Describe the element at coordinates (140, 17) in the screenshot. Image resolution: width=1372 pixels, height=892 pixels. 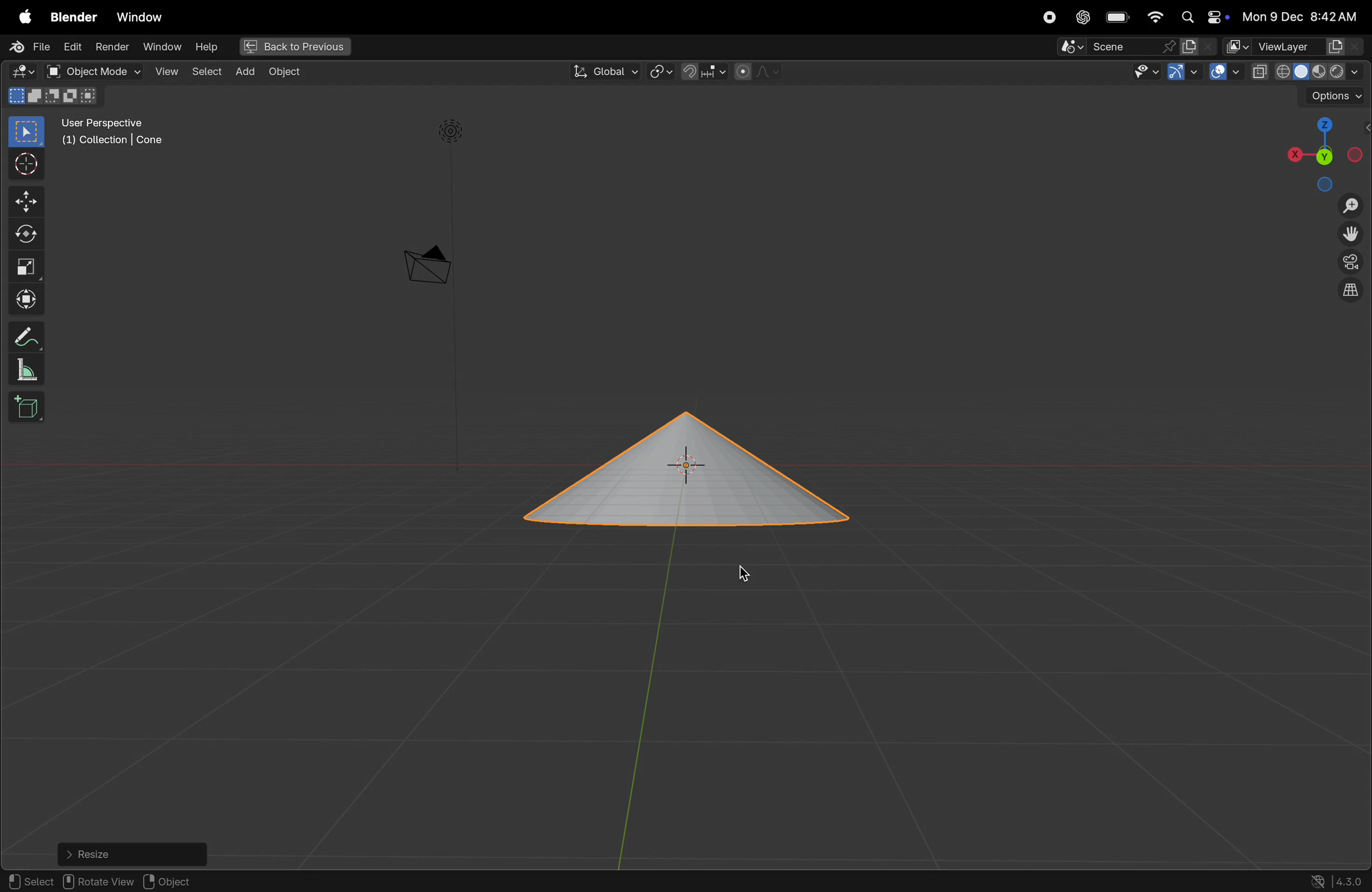
I see `Window` at that location.